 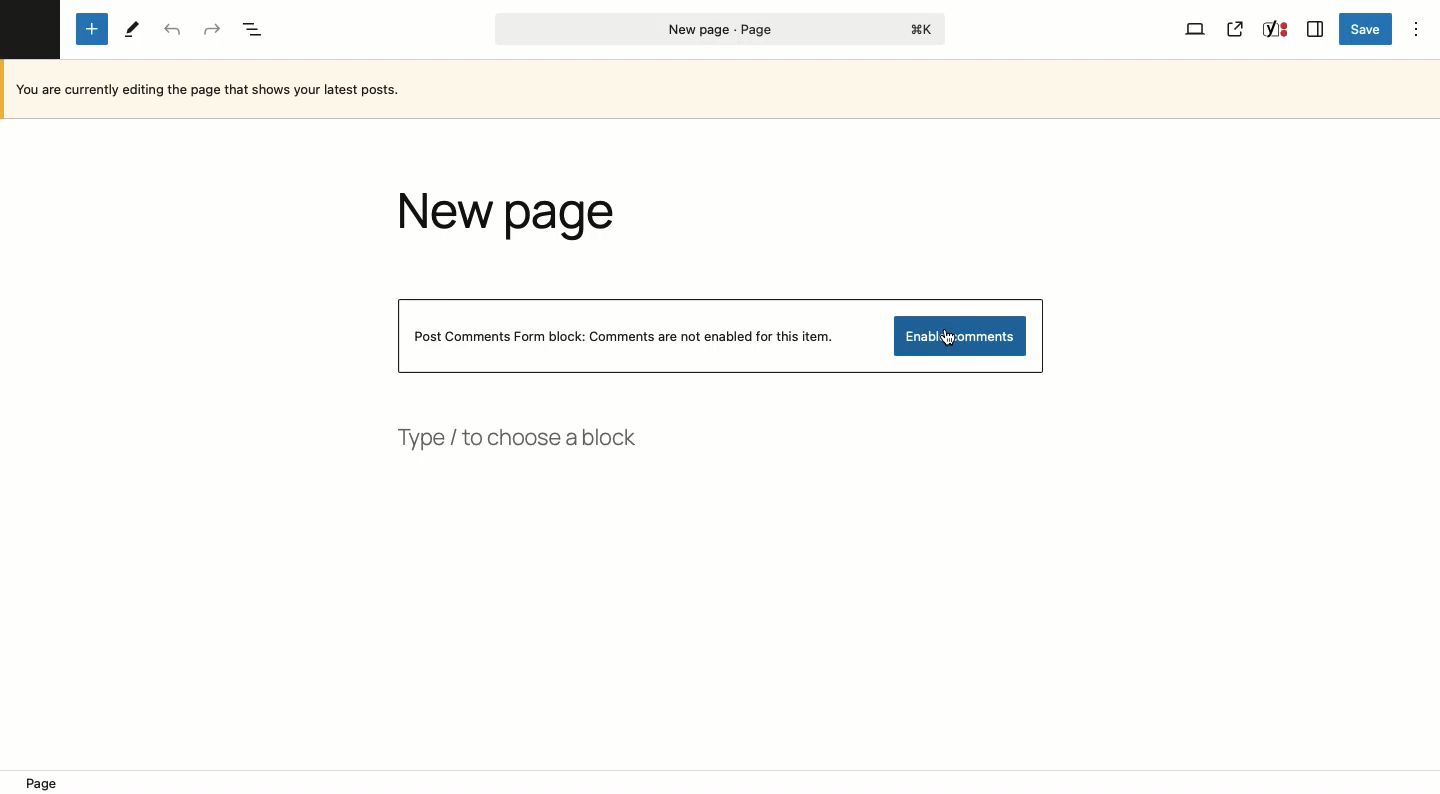 I want to click on Document overview, so click(x=252, y=28).